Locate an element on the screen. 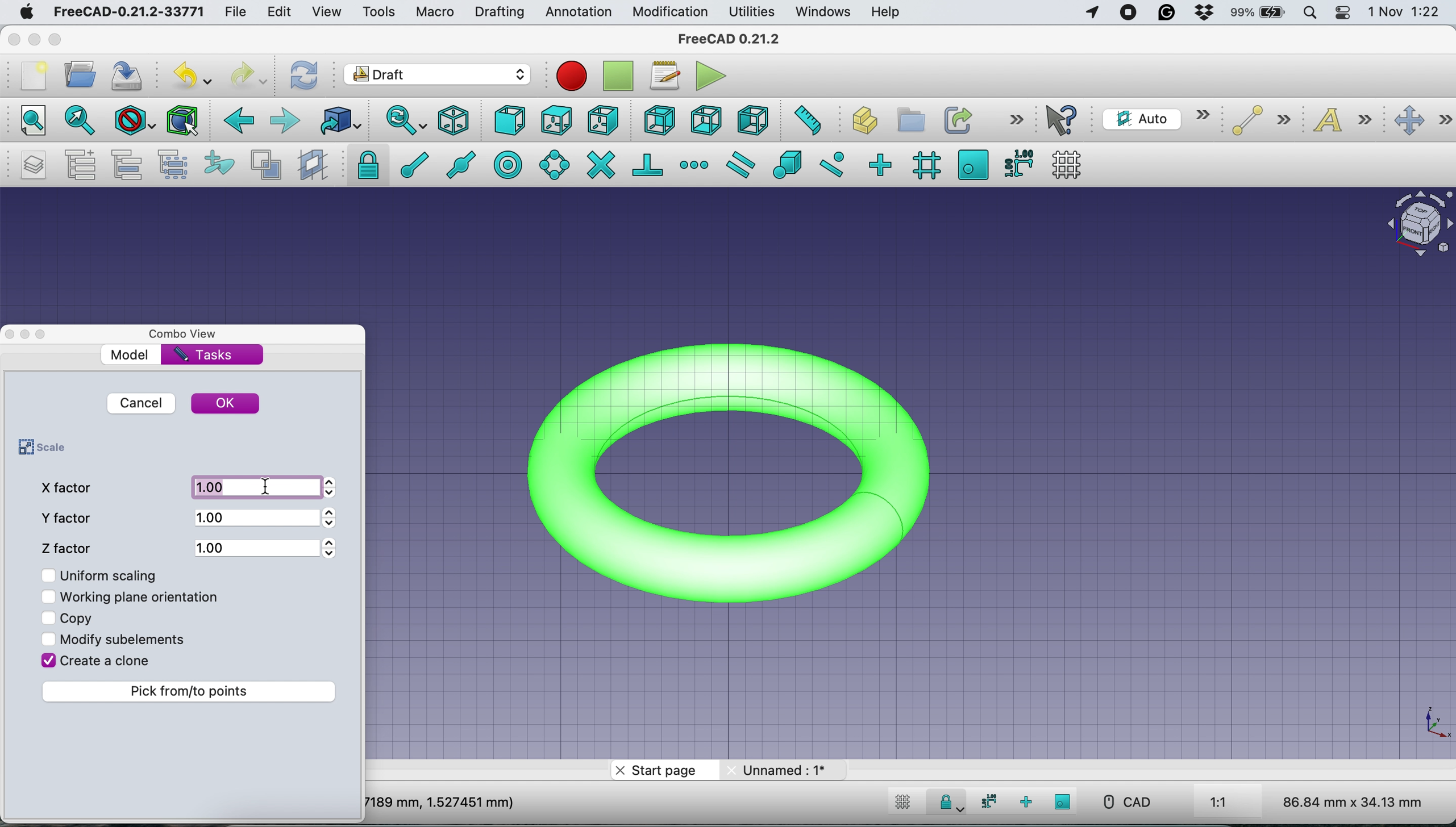 This screenshot has height=827, width=1456. save is located at coordinates (131, 74).